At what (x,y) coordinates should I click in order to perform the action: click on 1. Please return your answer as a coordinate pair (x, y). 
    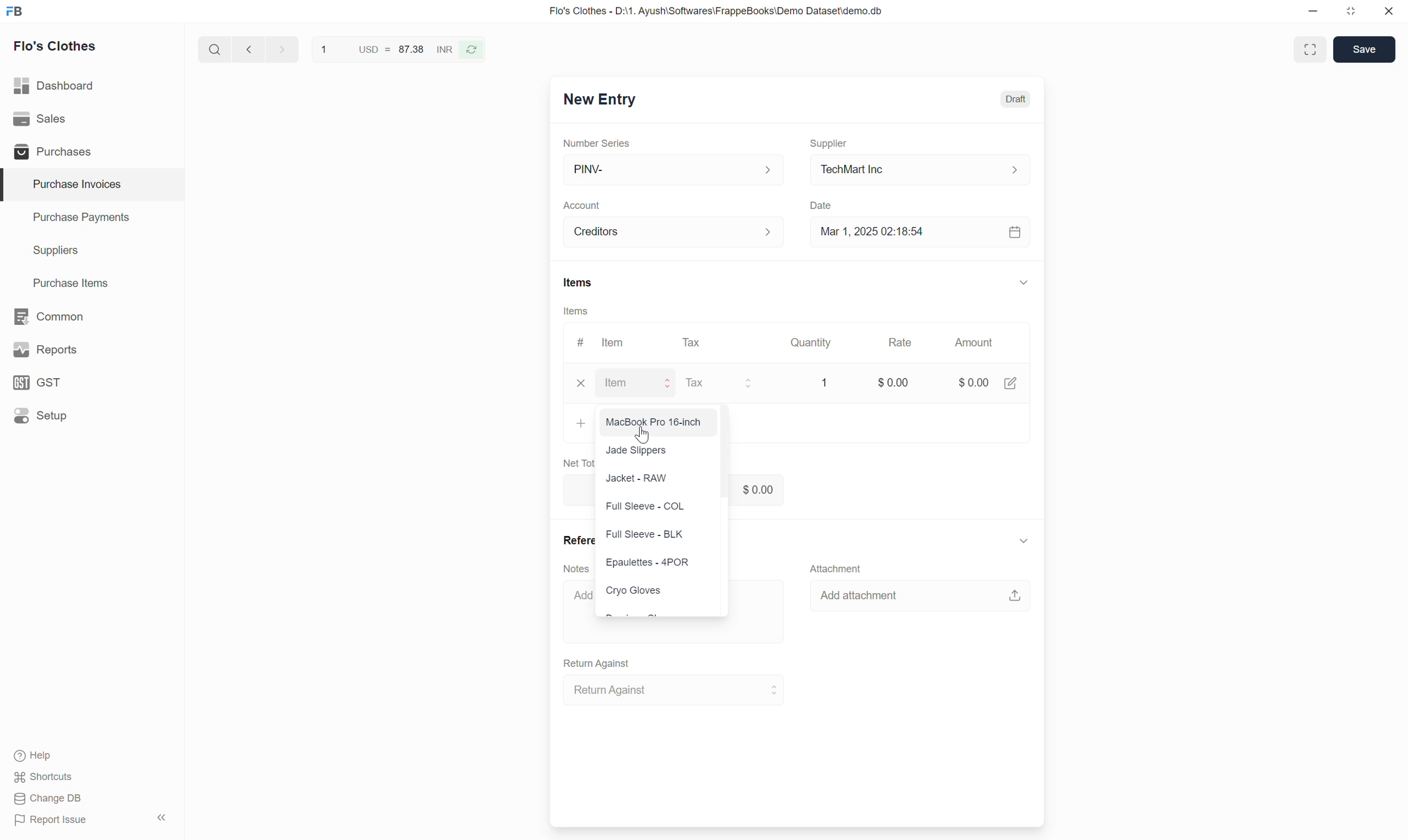
    Looking at the image, I should click on (821, 380).